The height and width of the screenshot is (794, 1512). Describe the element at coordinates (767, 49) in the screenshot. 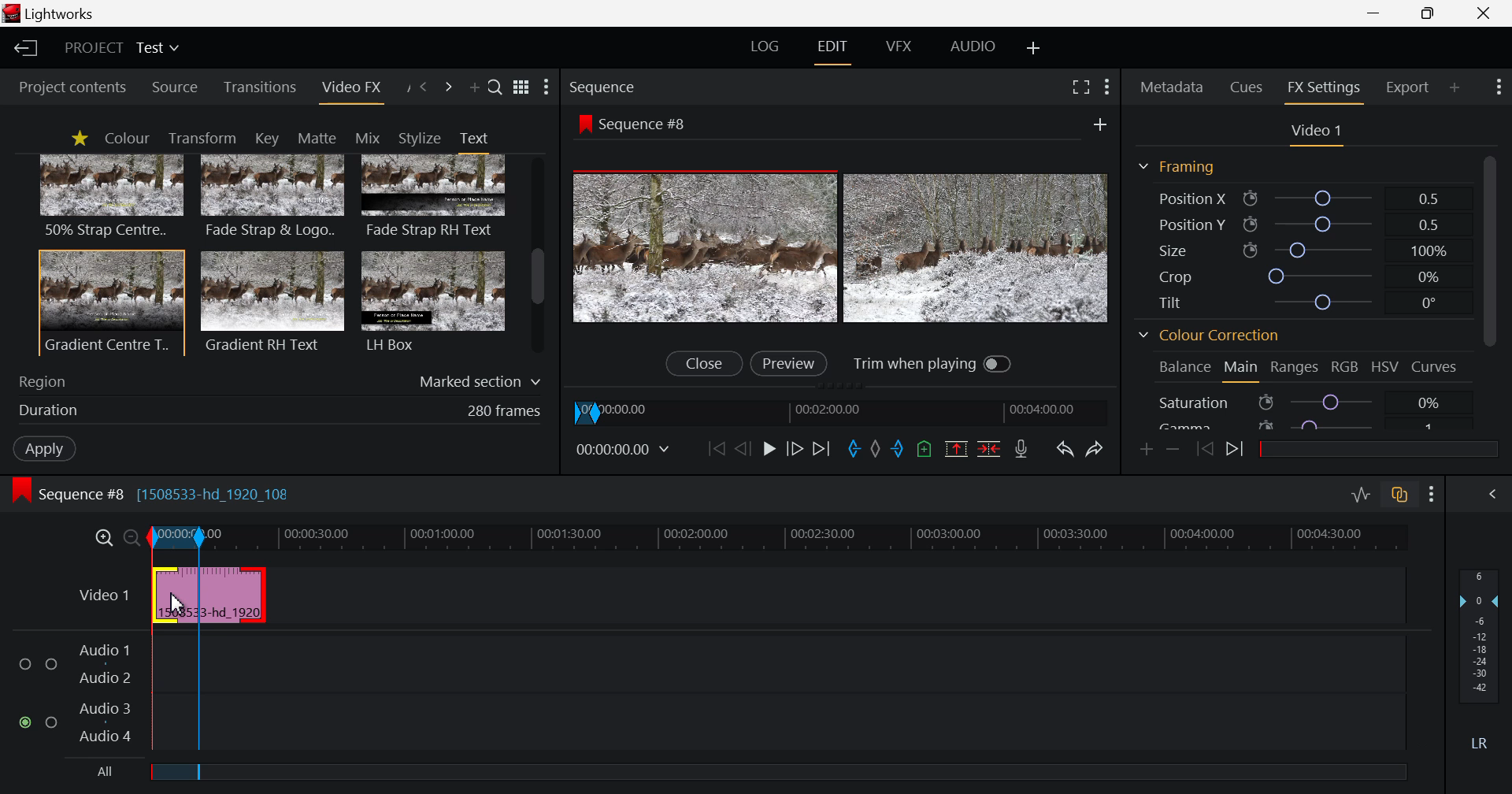

I see `LOG Layout` at that location.